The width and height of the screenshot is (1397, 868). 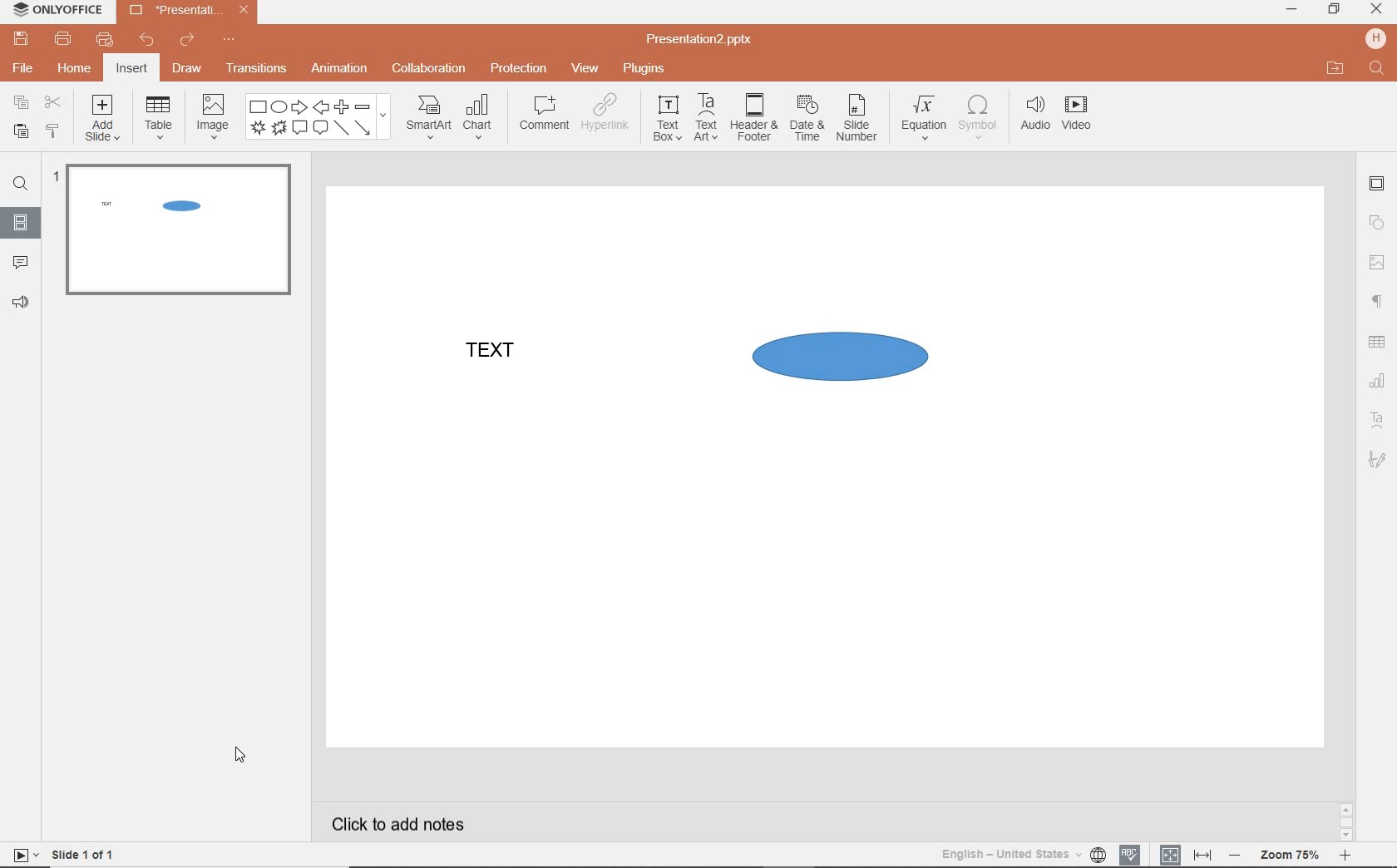 What do you see at coordinates (257, 67) in the screenshot?
I see `transitions` at bounding box center [257, 67].